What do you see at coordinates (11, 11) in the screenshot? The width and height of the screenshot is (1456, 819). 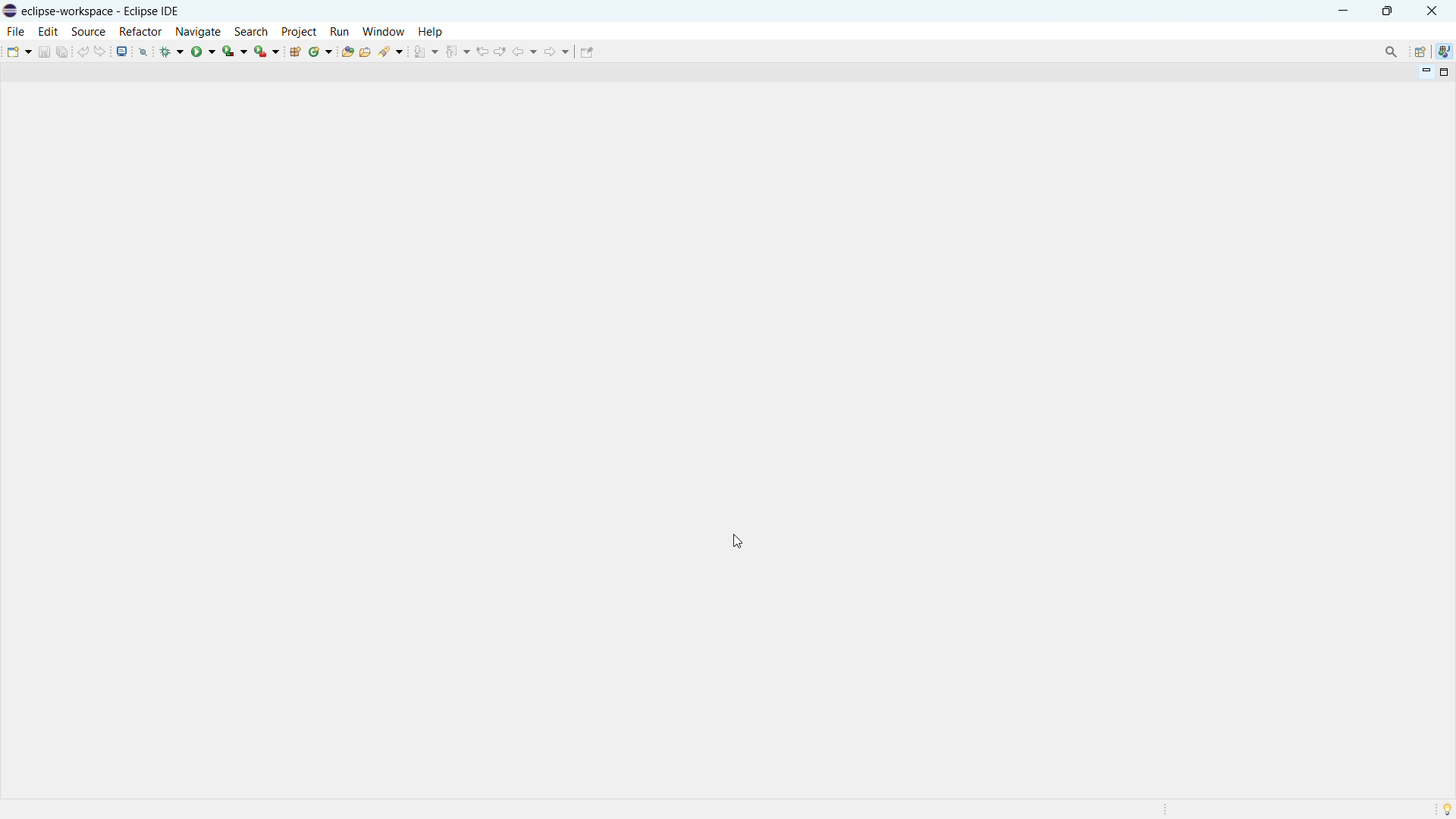 I see `logo` at bounding box center [11, 11].